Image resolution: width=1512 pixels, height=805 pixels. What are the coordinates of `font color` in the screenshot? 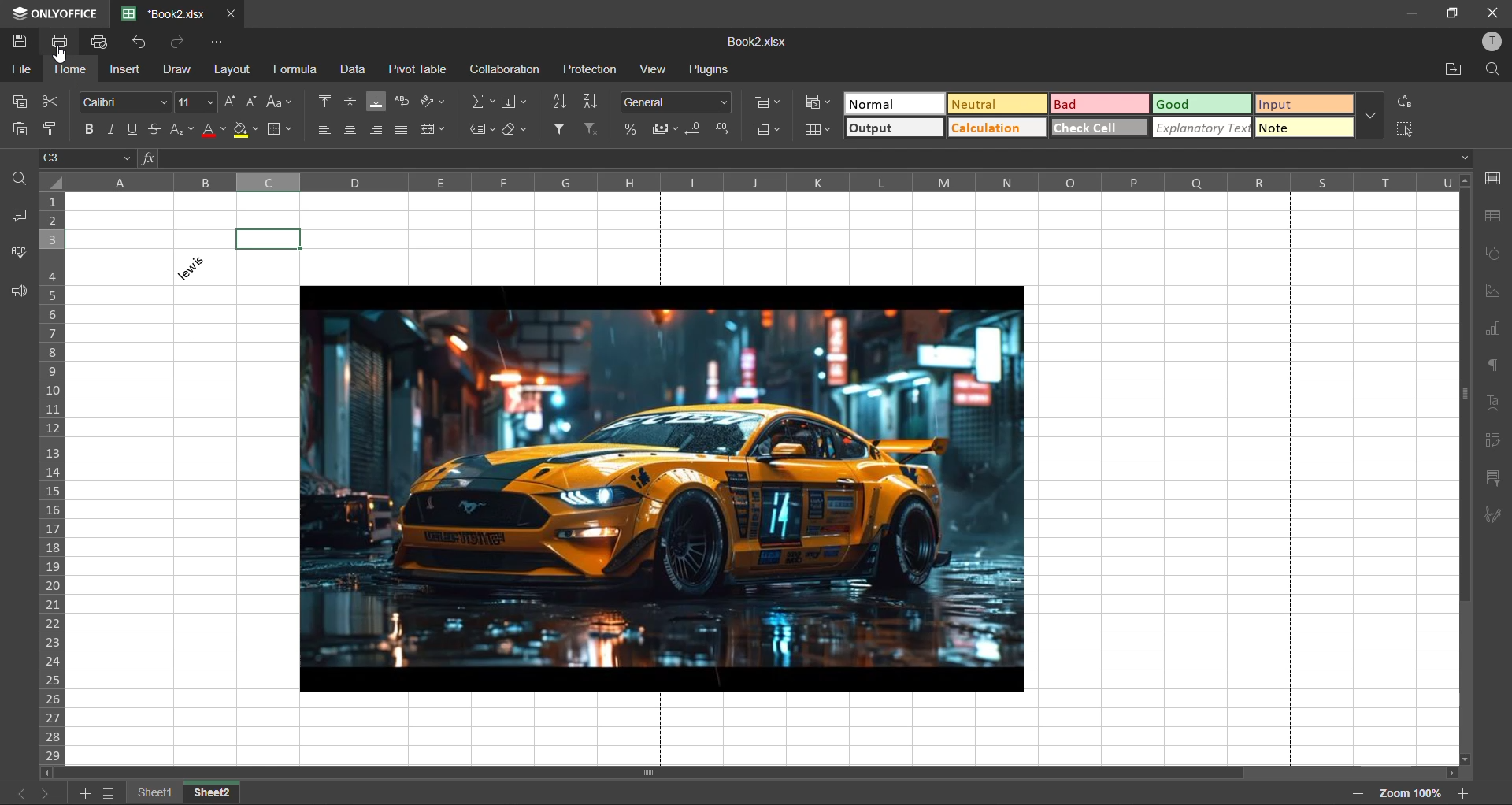 It's located at (212, 130).